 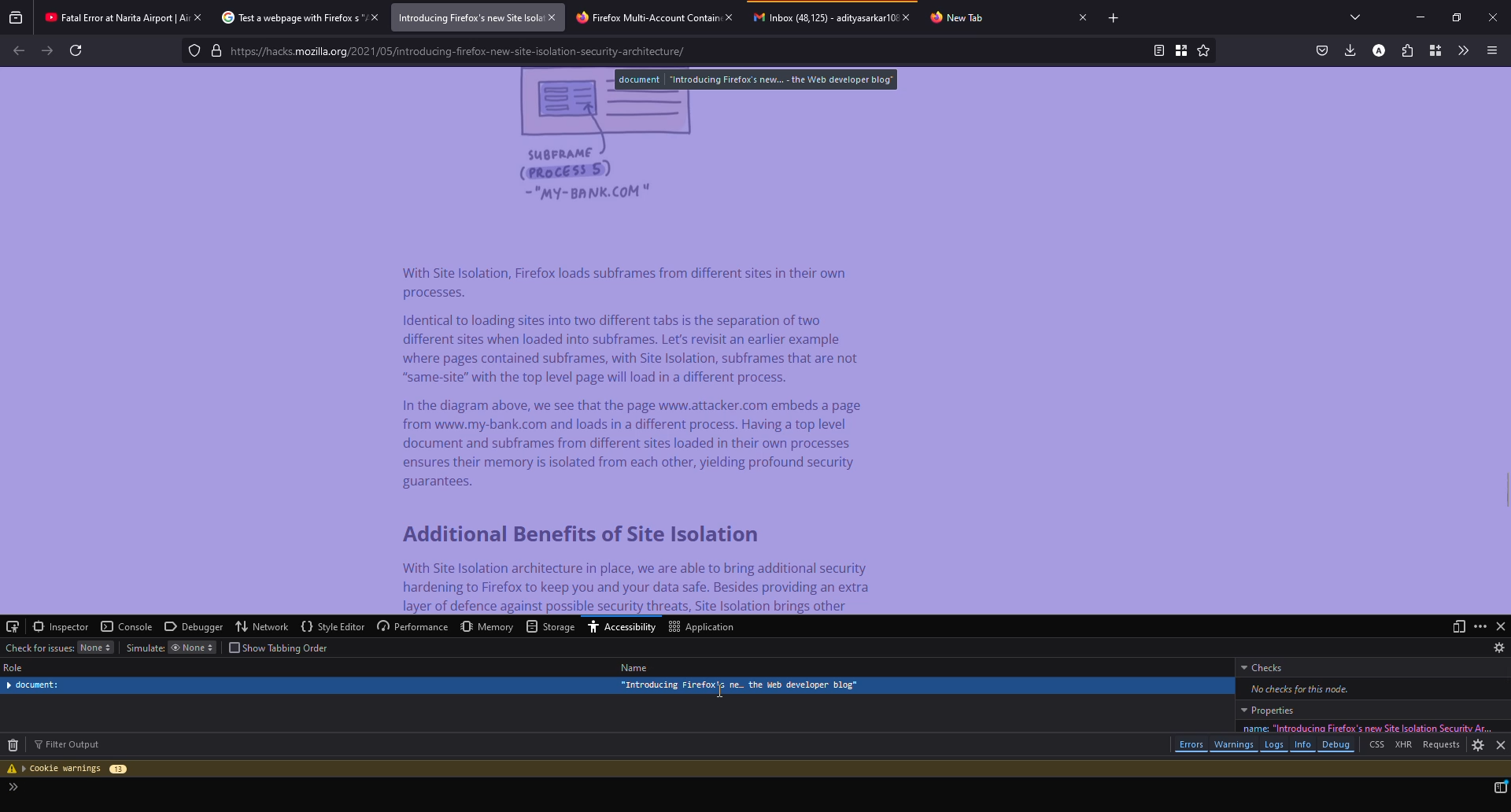 I want to click on menu, so click(x=1491, y=50).